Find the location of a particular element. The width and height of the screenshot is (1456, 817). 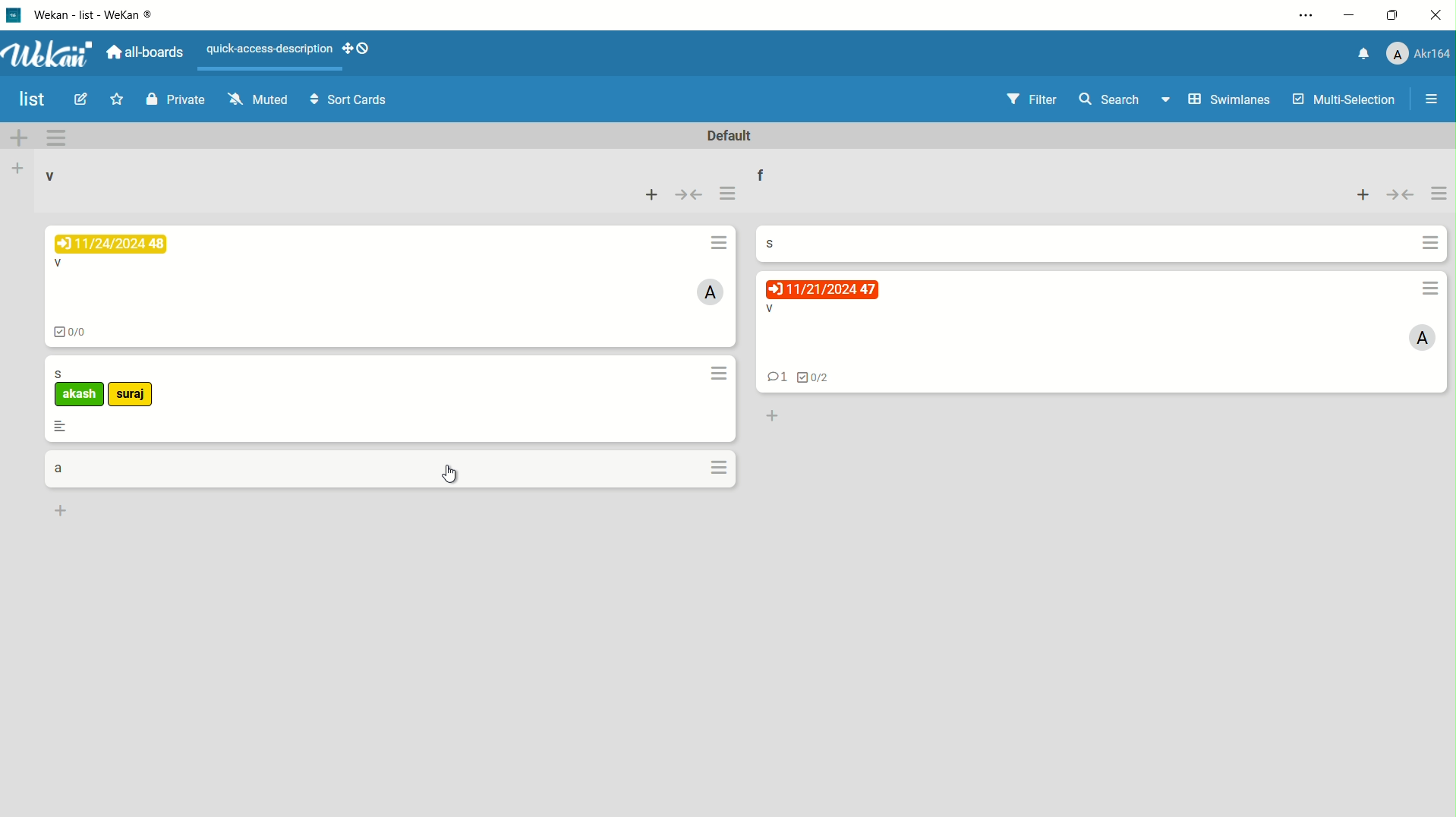

board name is located at coordinates (30, 99).